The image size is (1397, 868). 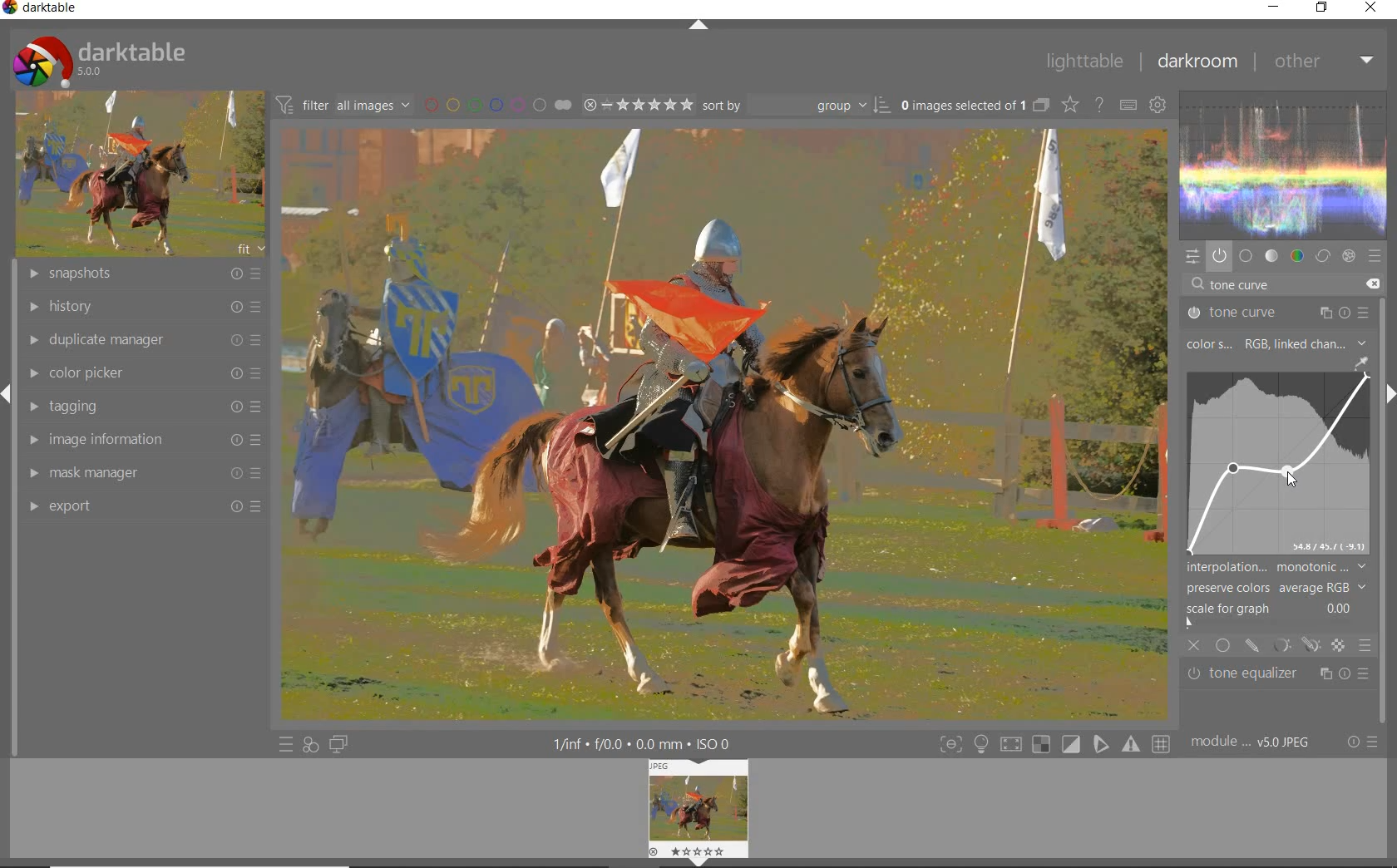 I want to click on change type of overlays, so click(x=1072, y=106).